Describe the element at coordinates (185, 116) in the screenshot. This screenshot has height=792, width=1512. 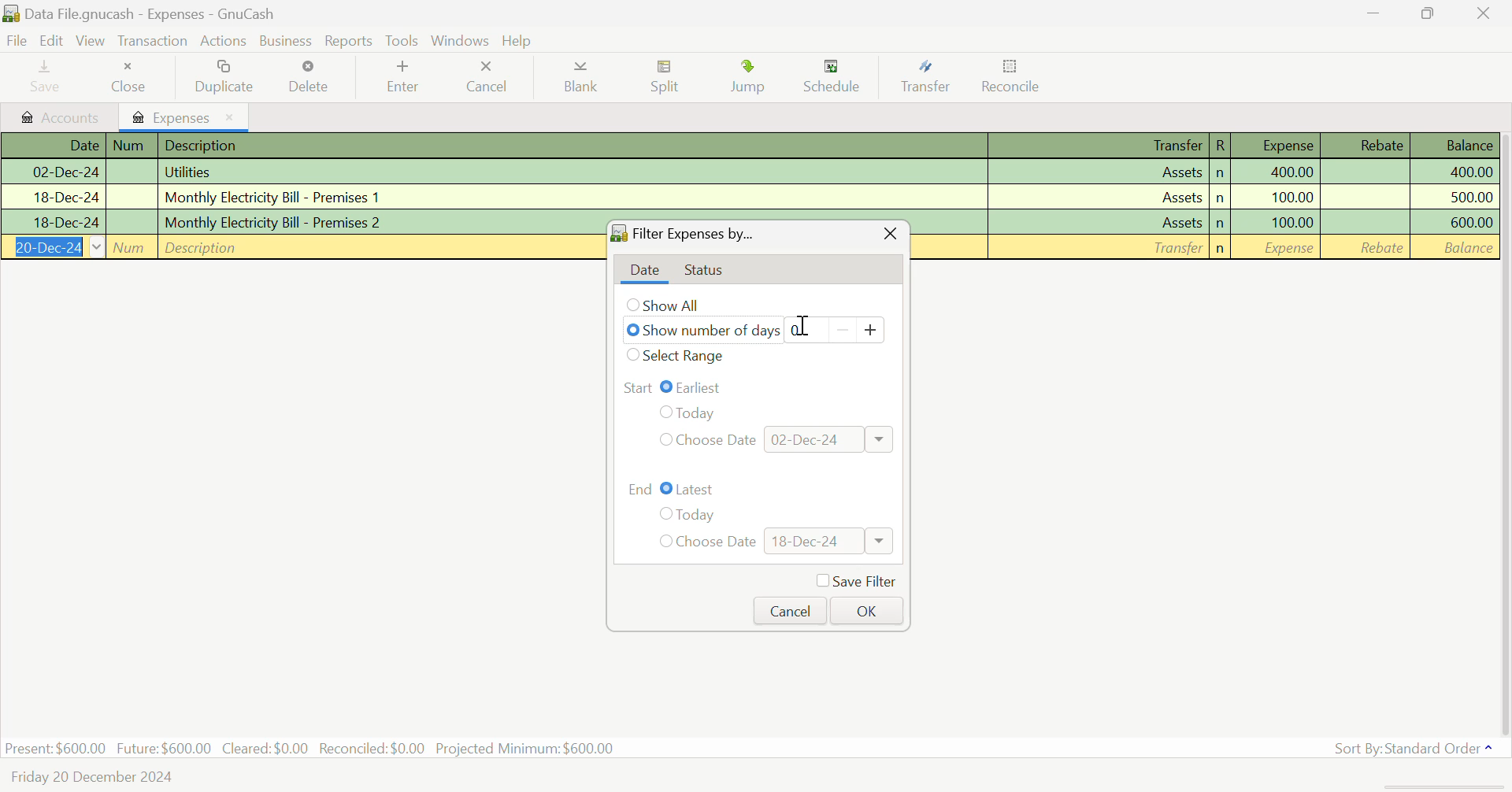
I see `Expenses Tab Open` at that location.